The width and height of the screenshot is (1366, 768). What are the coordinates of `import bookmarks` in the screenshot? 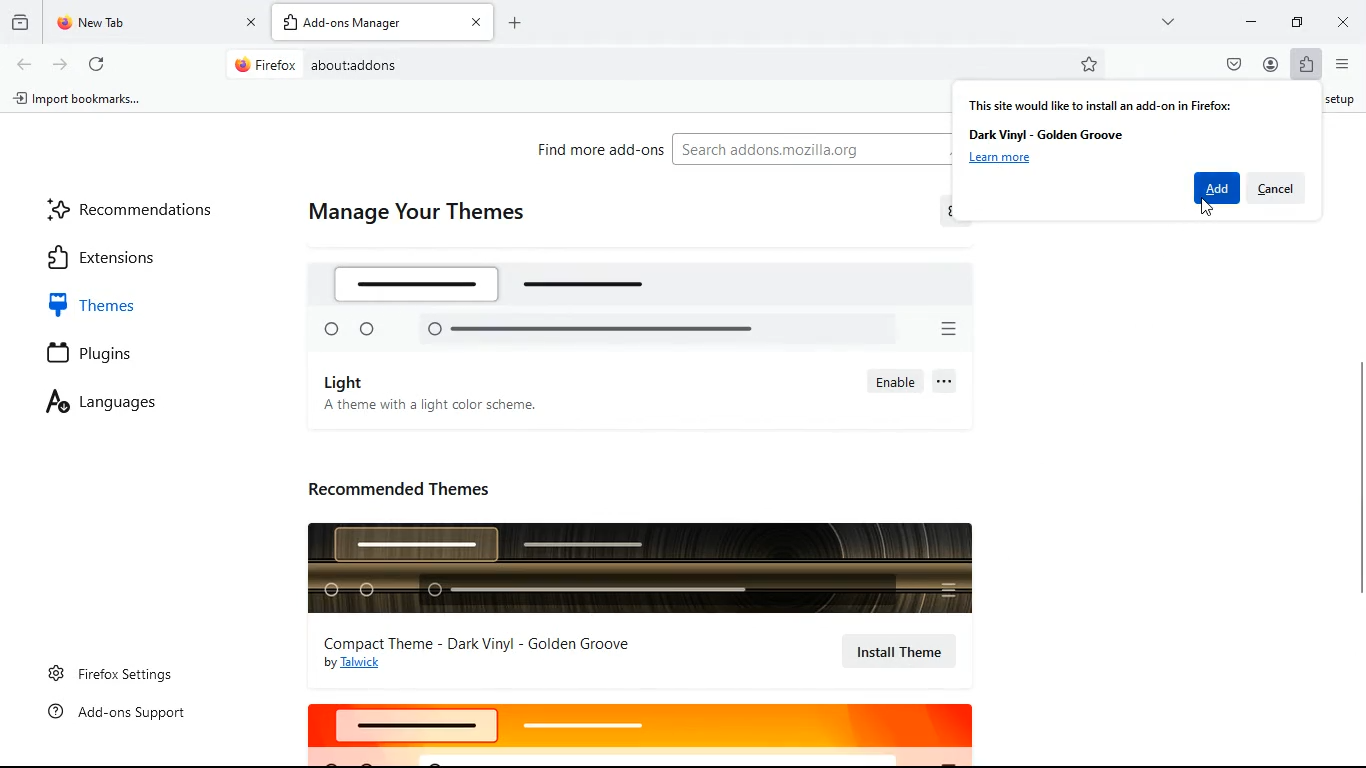 It's located at (84, 100).